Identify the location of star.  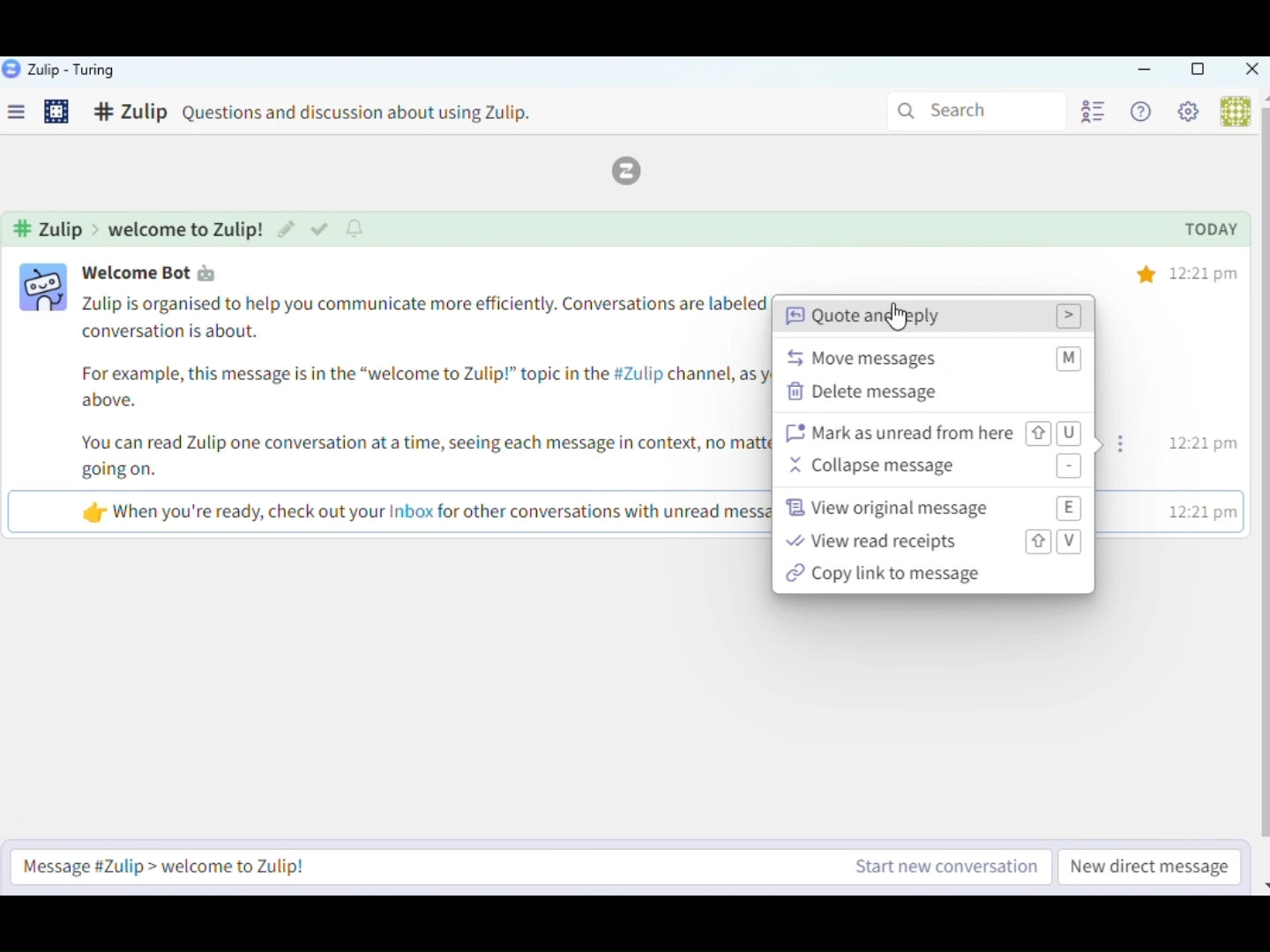
(1147, 271).